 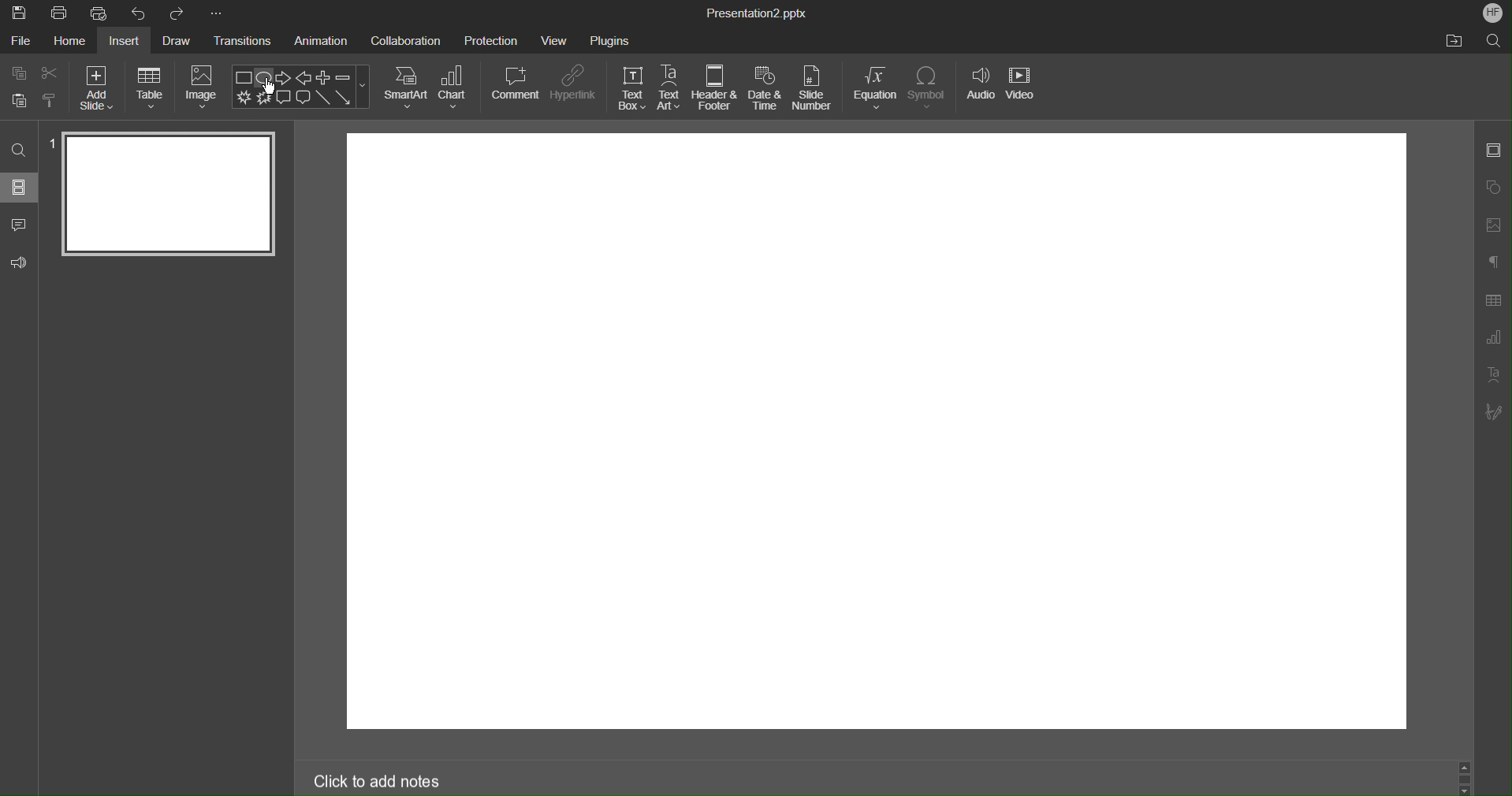 I want to click on Video, so click(x=1023, y=90).